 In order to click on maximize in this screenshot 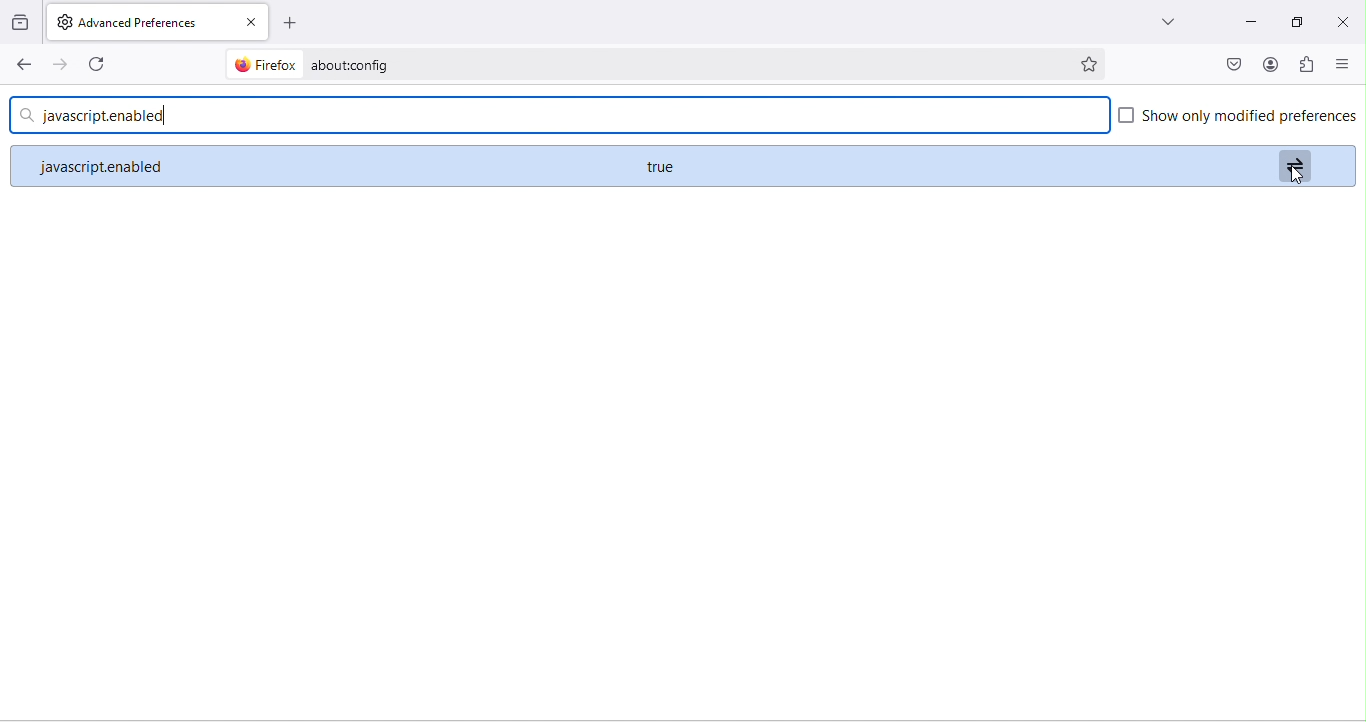, I will do `click(1301, 22)`.